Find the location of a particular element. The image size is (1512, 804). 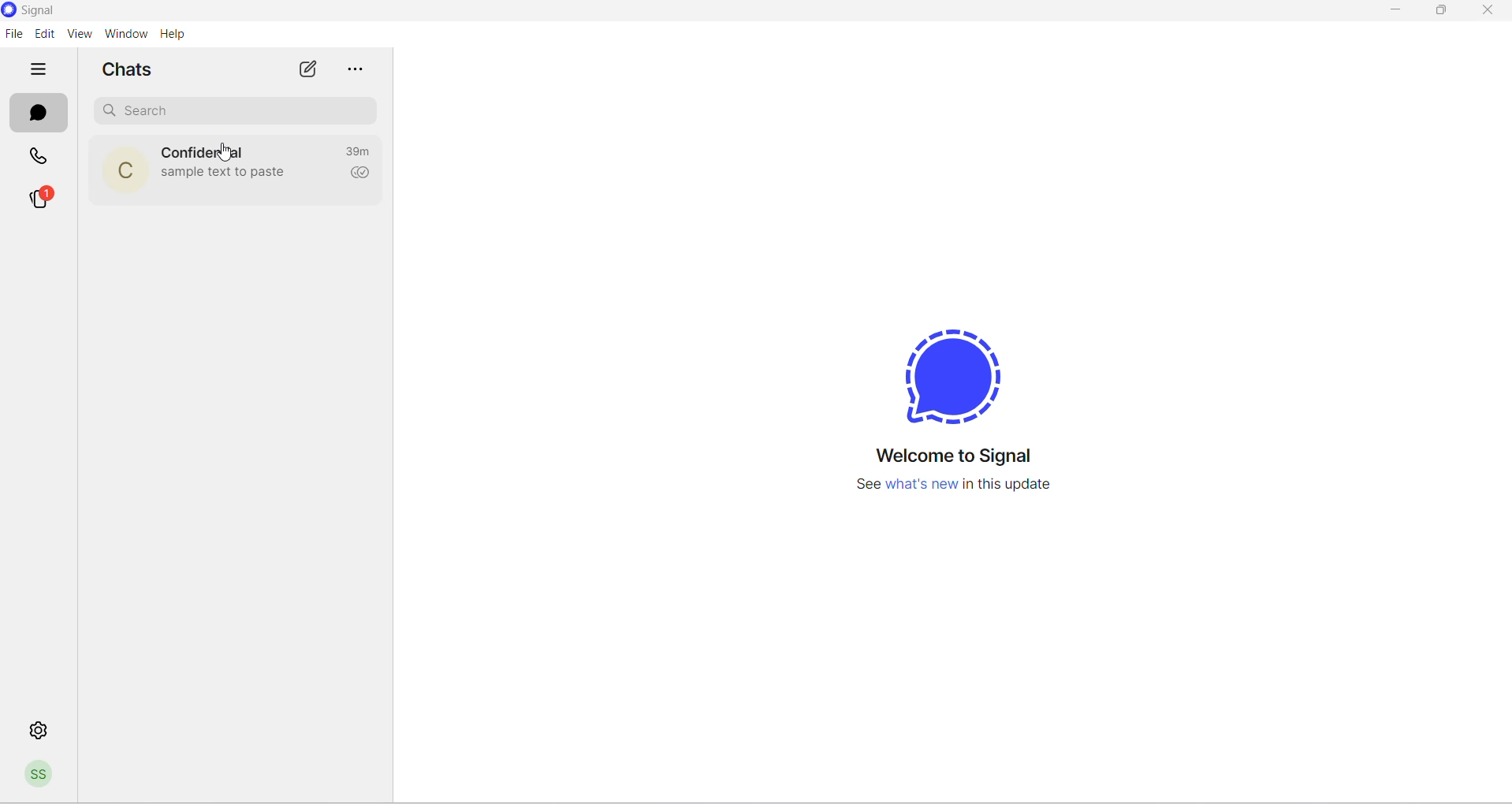

contact name is located at coordinates (207, 150).